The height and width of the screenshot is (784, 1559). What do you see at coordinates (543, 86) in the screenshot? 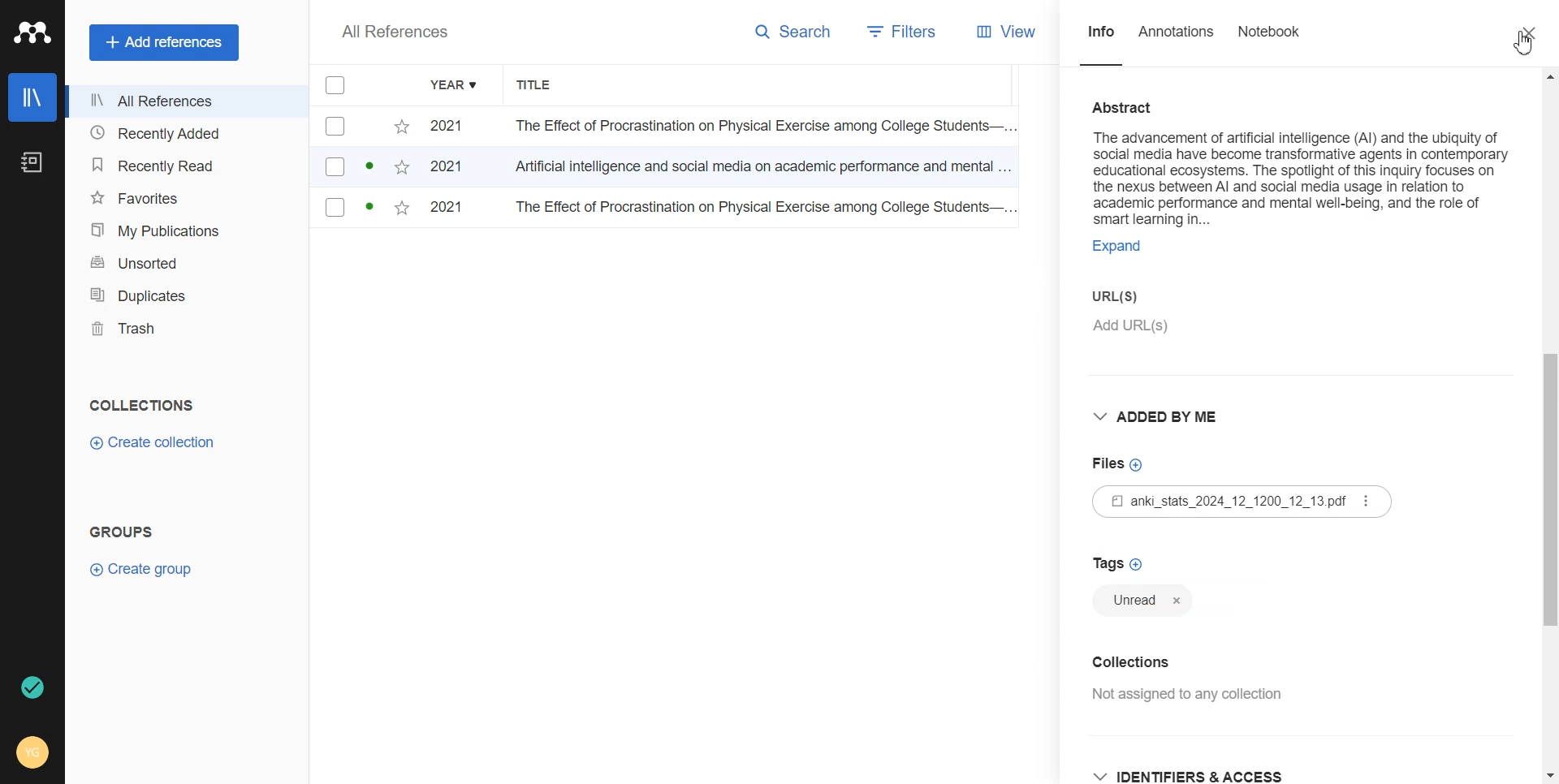
I see `Title` at bounding box center [543, 86].